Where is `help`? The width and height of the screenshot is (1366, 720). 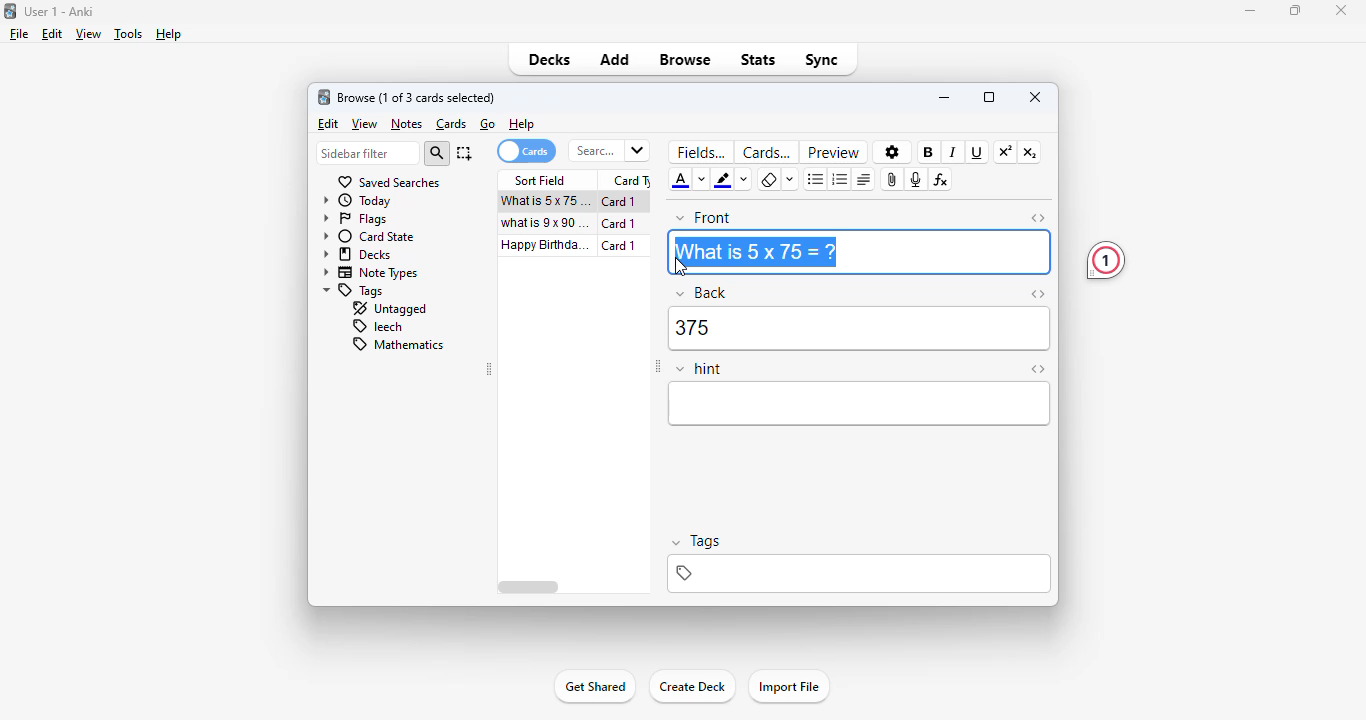
help is located at coordinates (169, 35).